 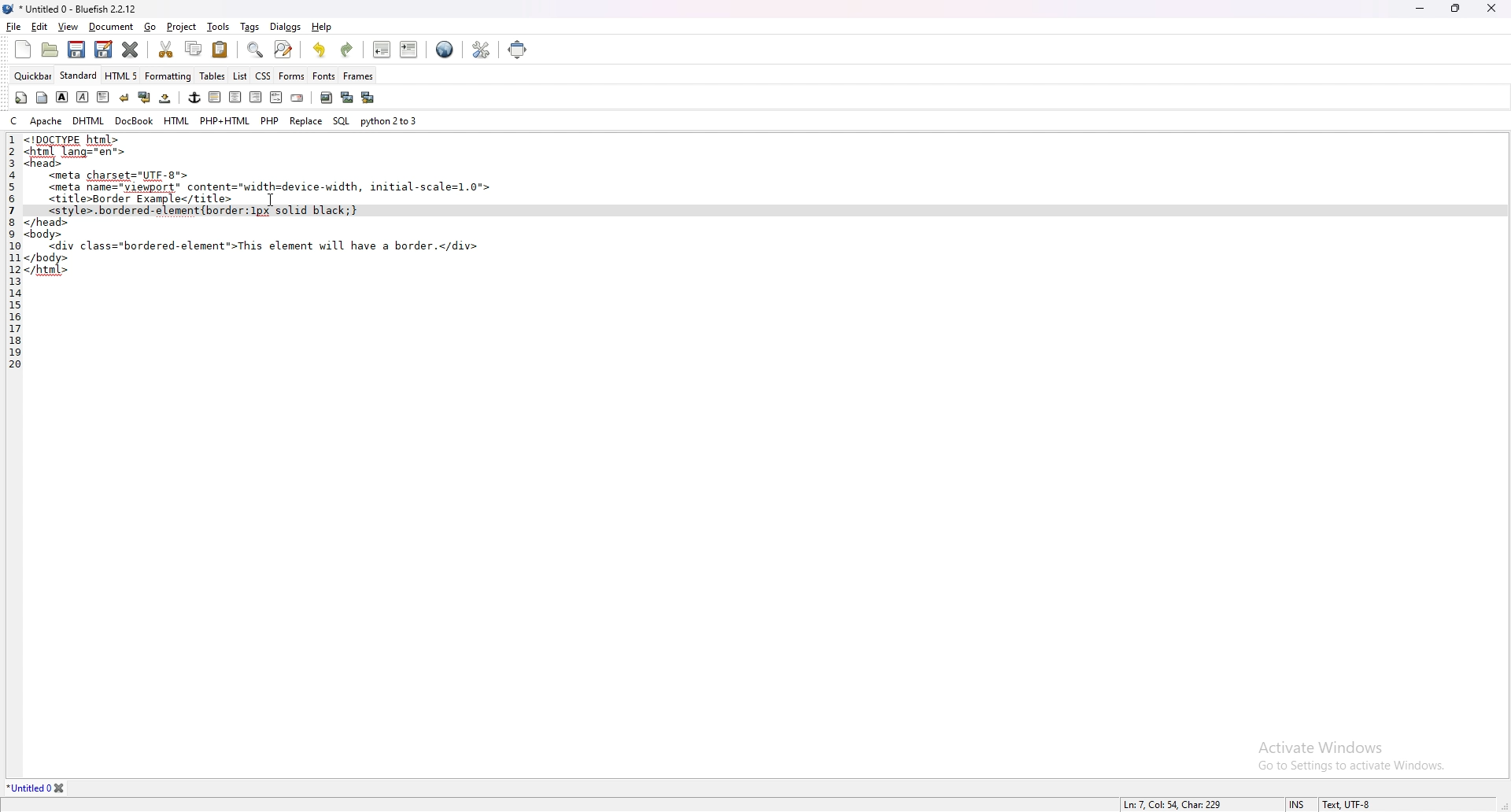 What do you see at coordinates (111, 28) in the screenshot?
I see `document` at bounding box center [111, 28].